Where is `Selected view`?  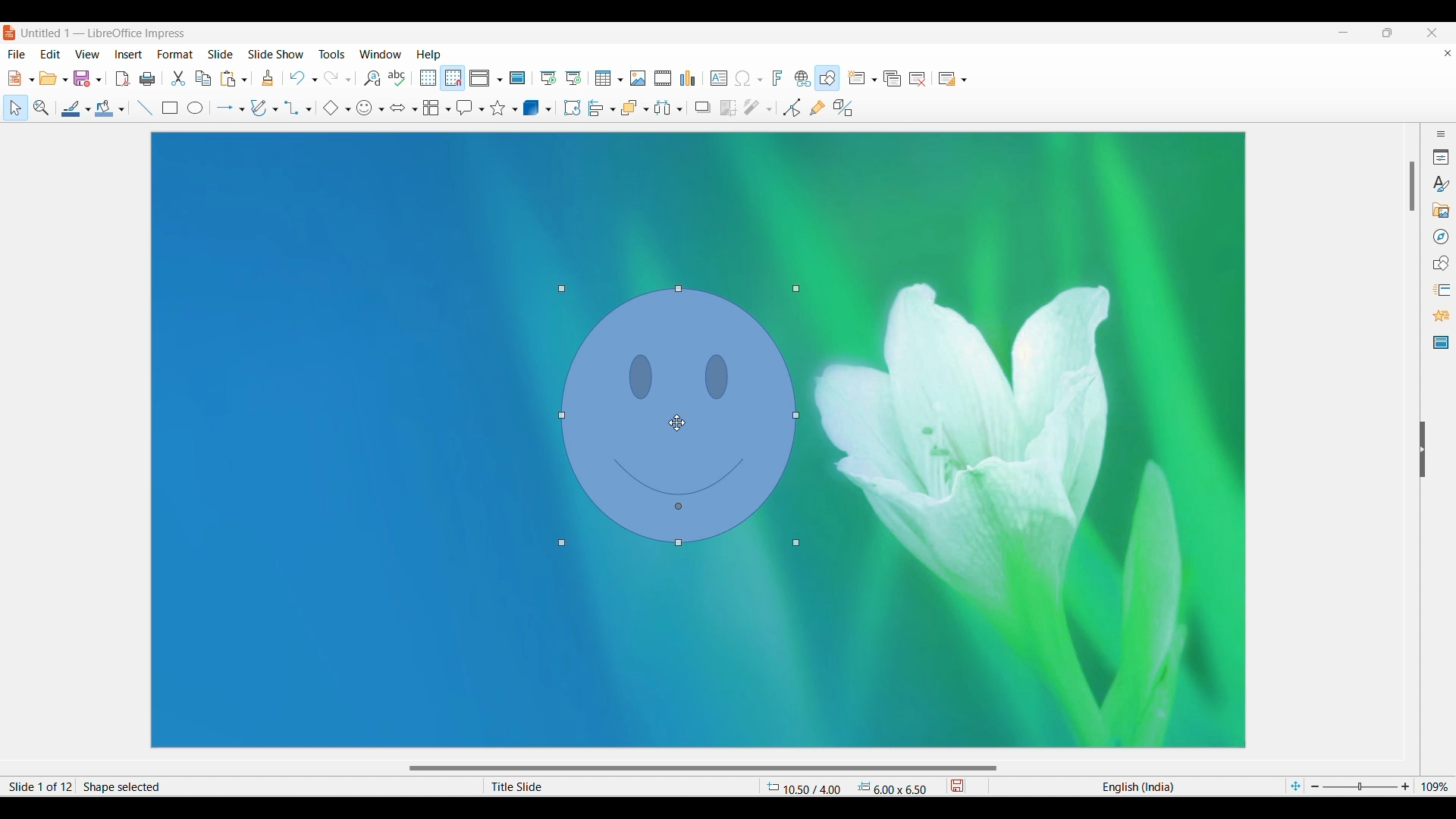 Selected view is located at coordinates (479, 78).